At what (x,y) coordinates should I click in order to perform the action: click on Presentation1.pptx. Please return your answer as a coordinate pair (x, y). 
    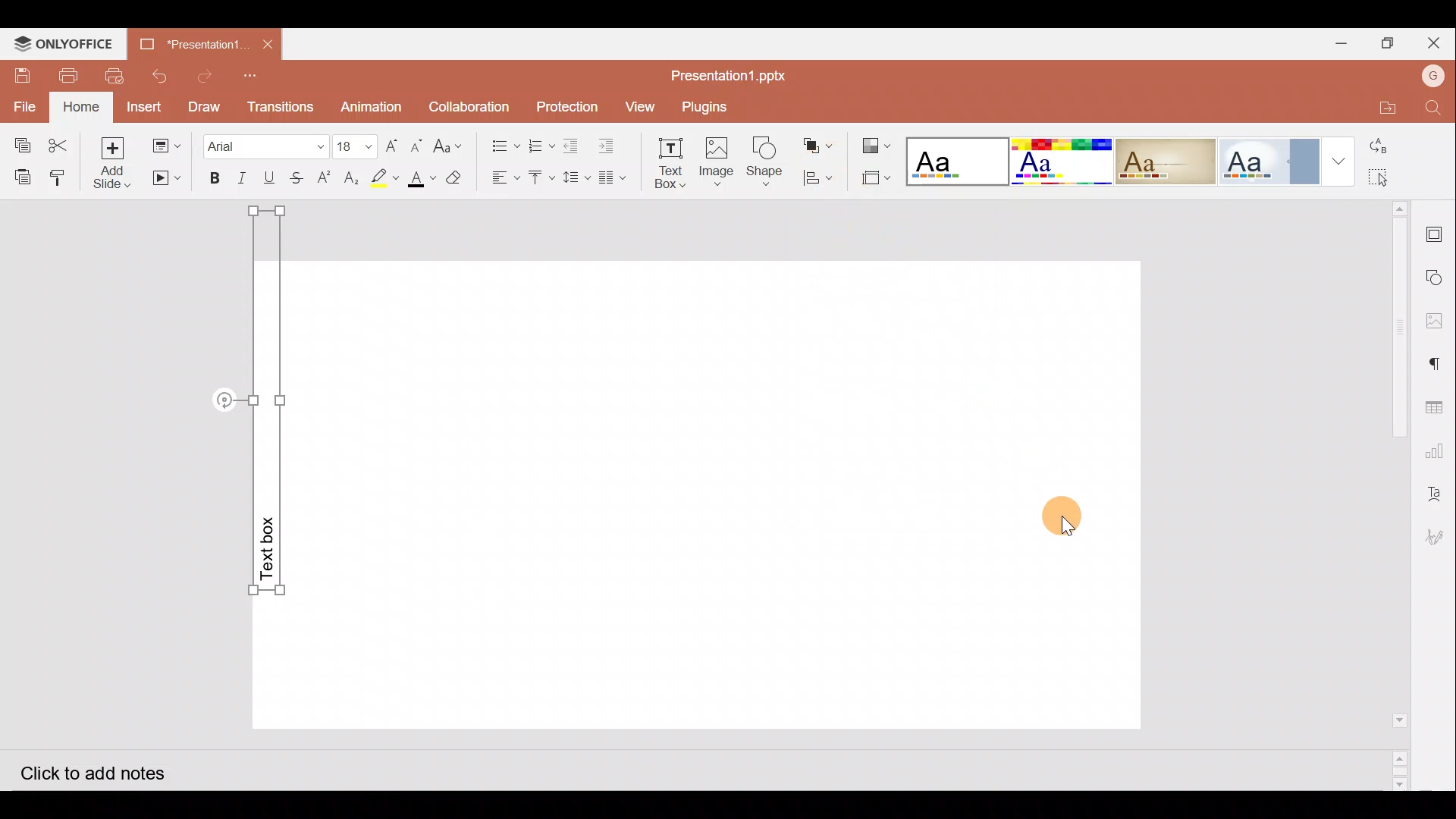
    Looking at the image, I should click on (723, 75).